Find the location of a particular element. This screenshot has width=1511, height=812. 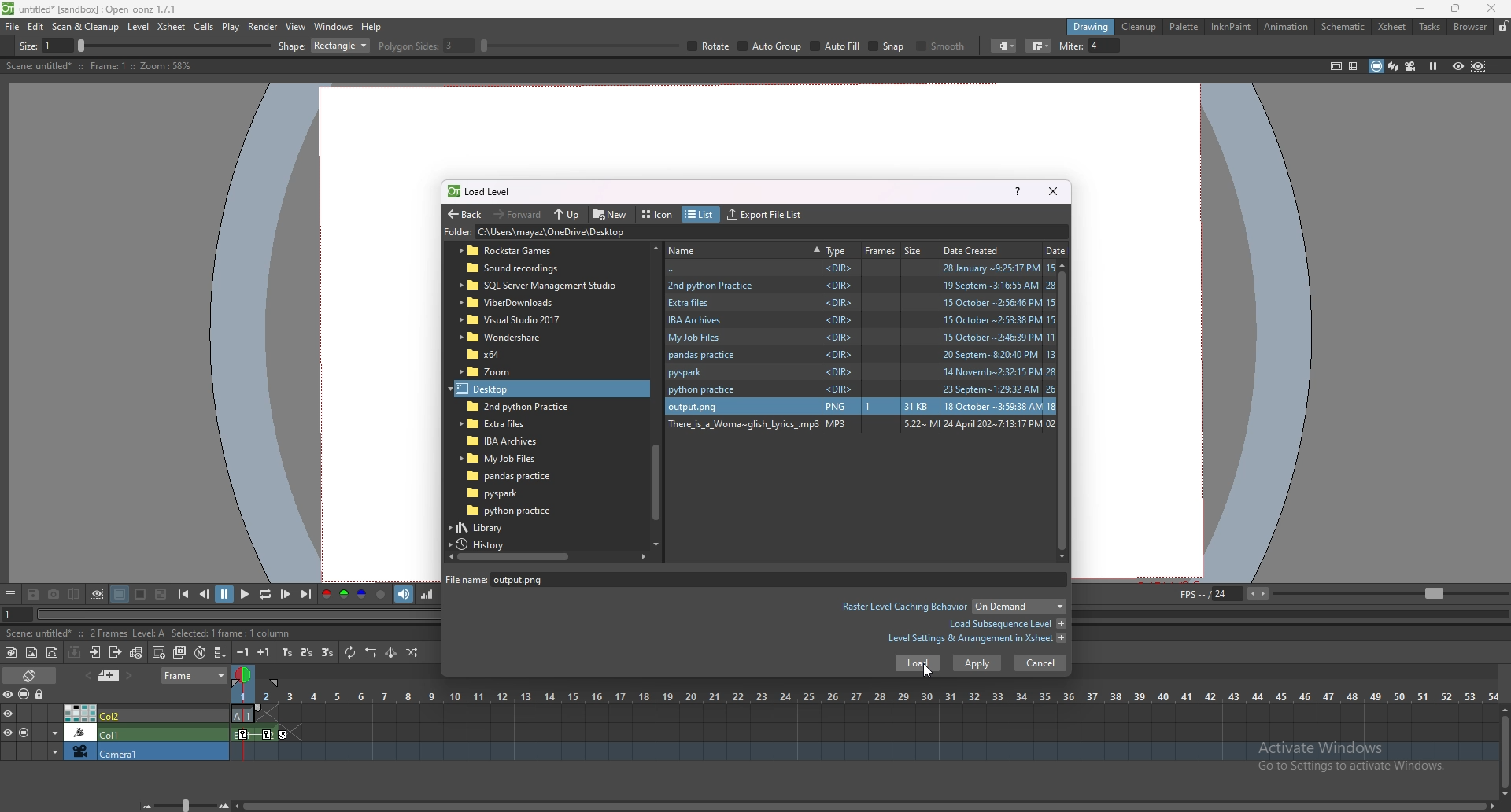

animation player is located at coordinates (242, 612).